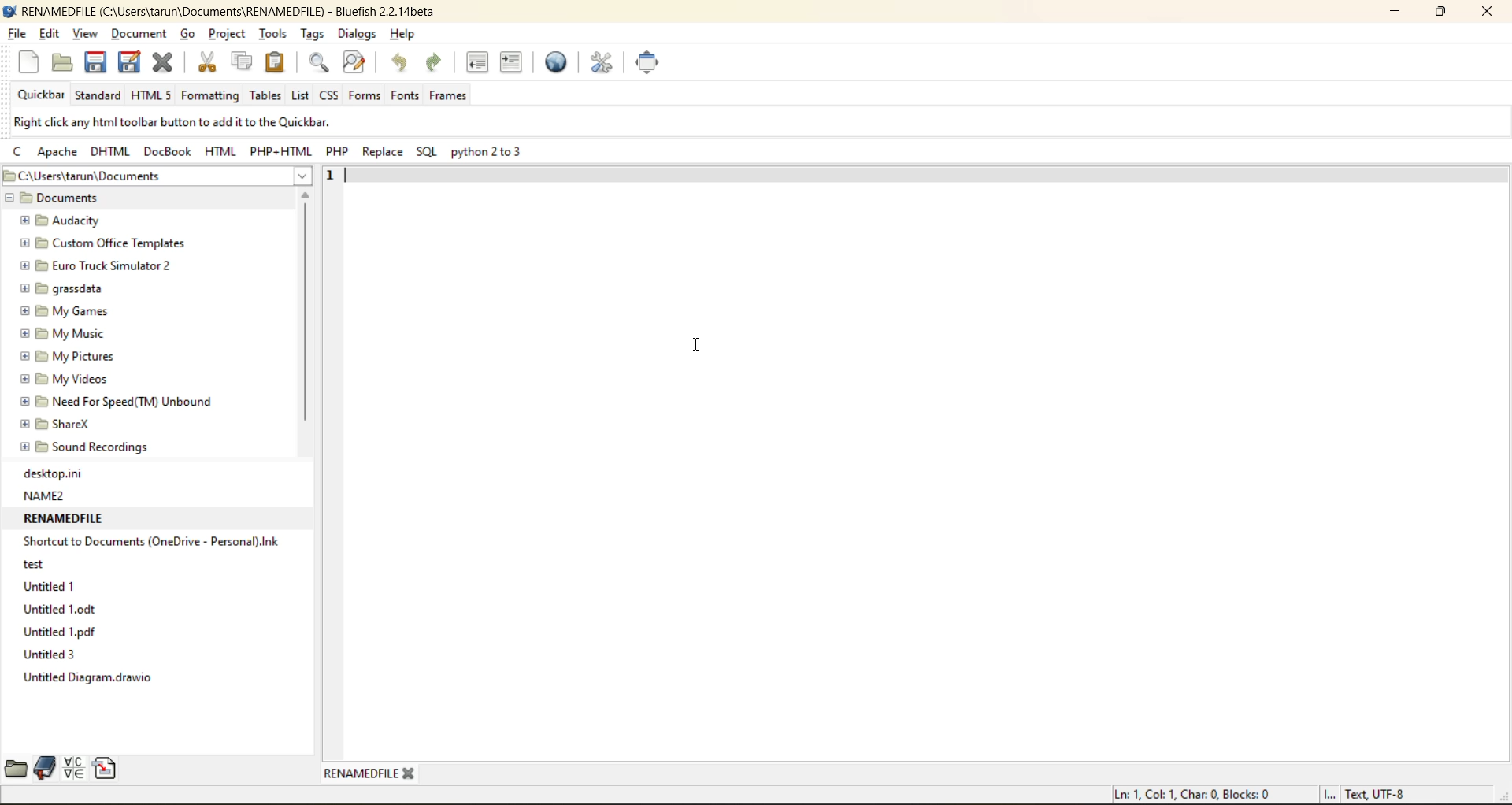 This screenshot has width=1512, height=805. Describe the element at coordinates (366, 96) in the screenshot. I see `forms` at that location.